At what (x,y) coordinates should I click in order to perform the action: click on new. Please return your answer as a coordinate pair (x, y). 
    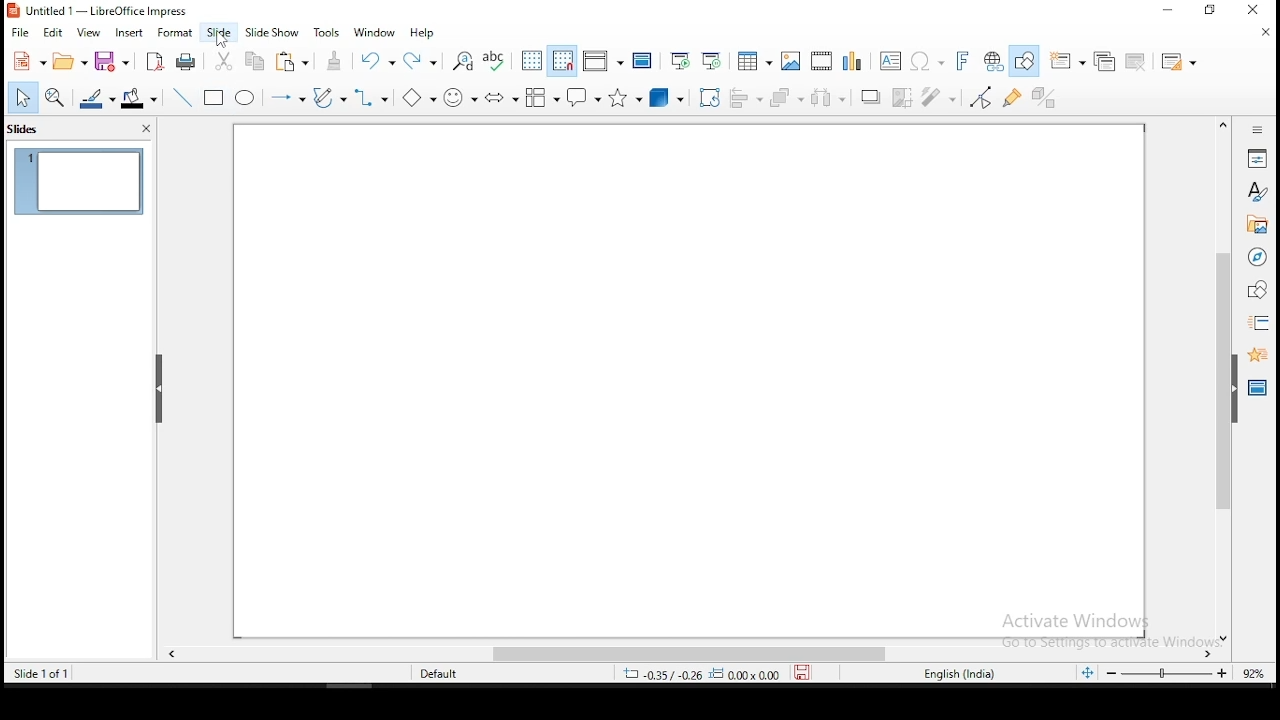
    Looking at the image, I should click on (26, 62).